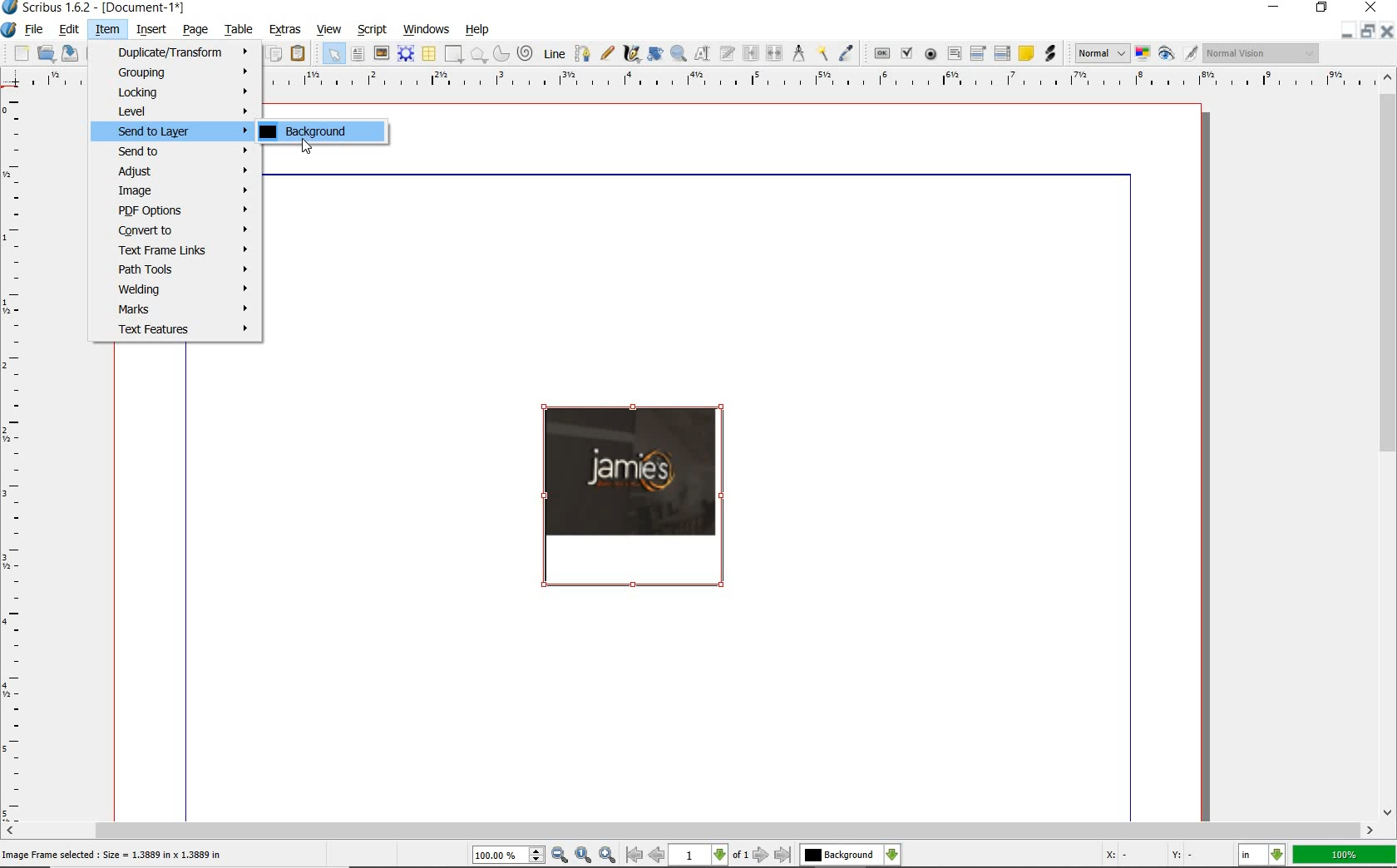  Describe the element at coordinates (45, 52) in the screenshot. I see `open` at that location.